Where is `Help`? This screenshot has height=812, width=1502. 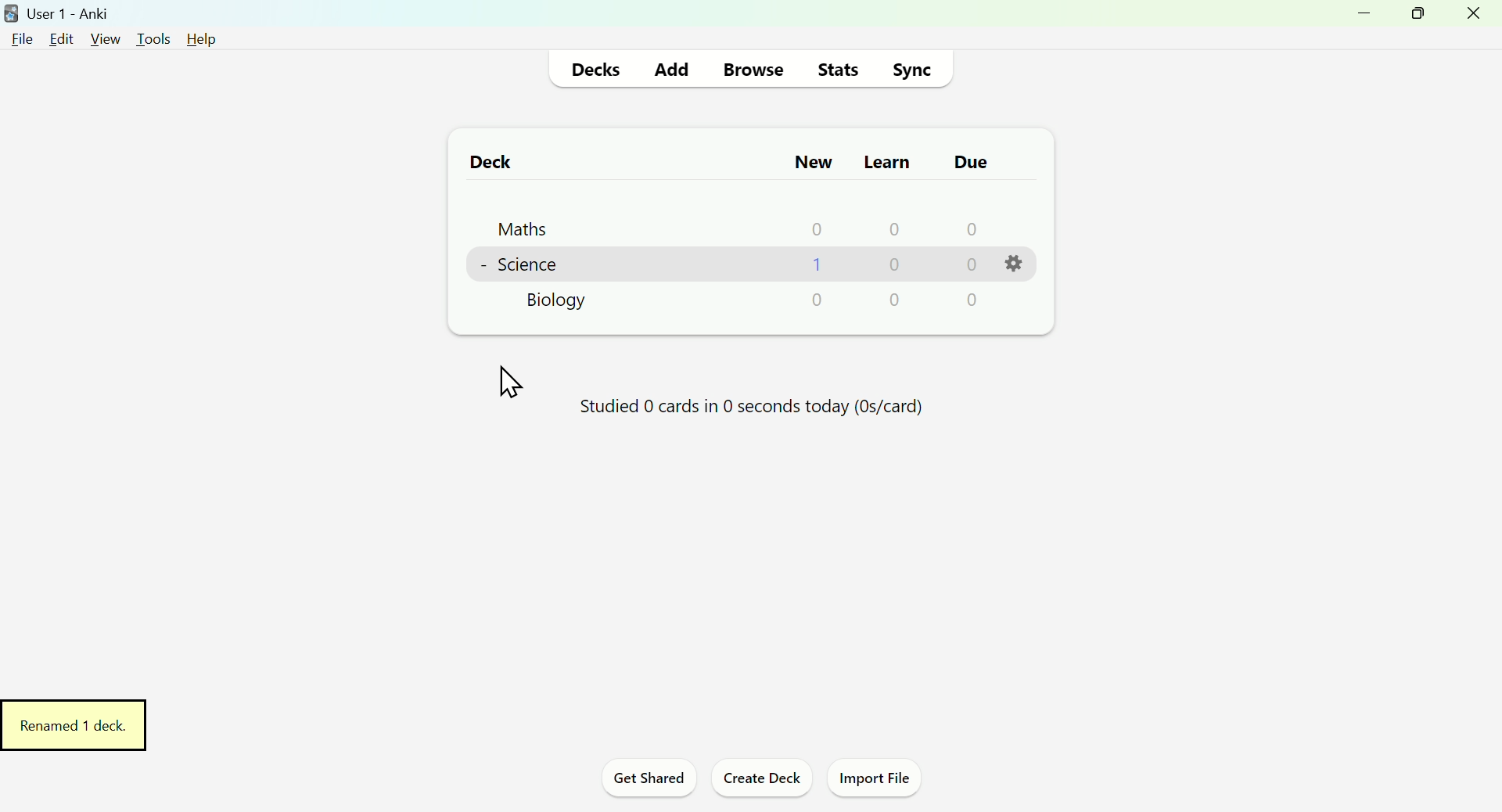 Help is located at coordinates (196, 38).